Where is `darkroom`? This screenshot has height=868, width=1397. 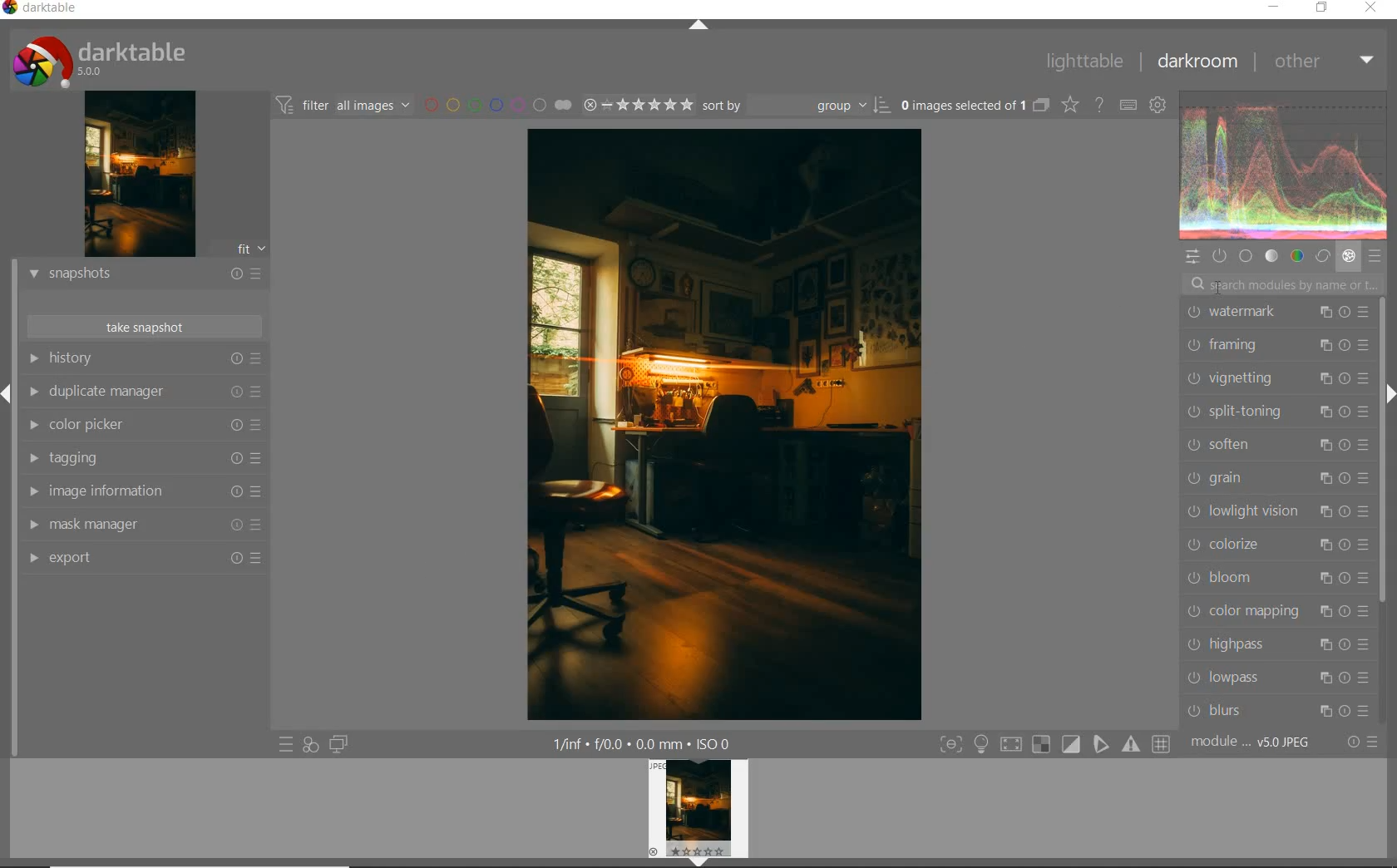 darkroom is located at coordinates (1200, 62).